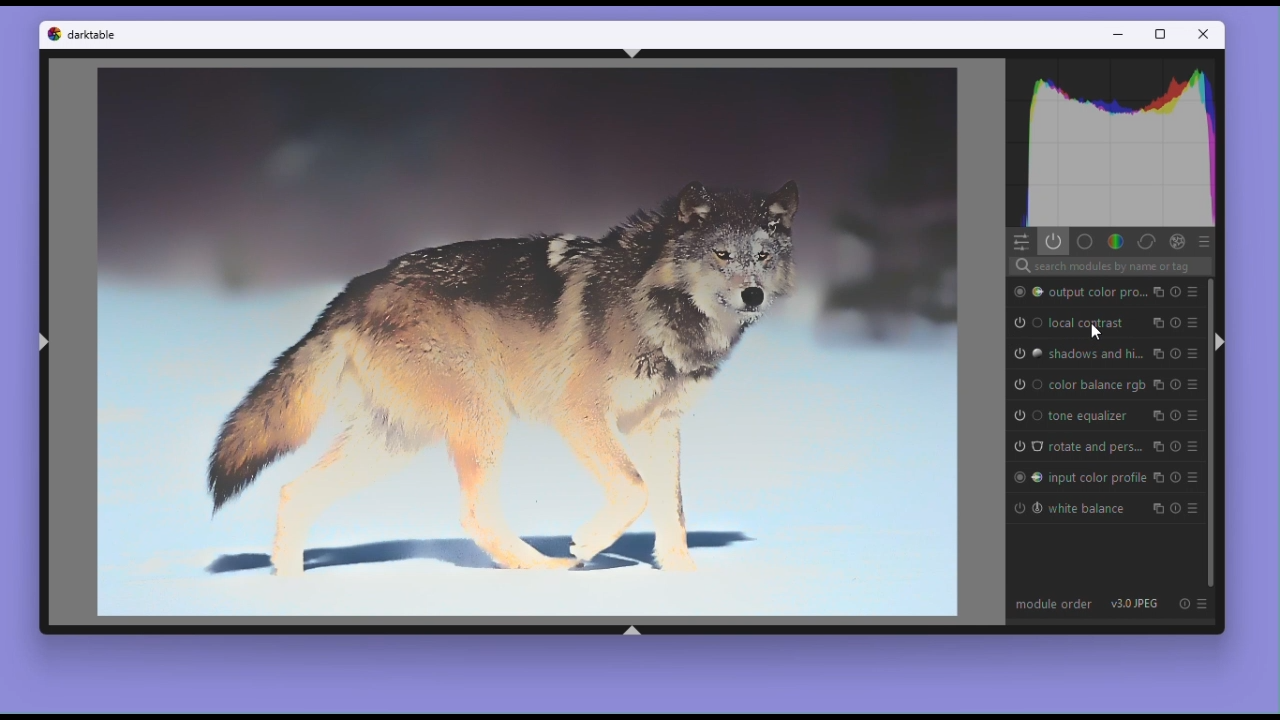 The width and height of the screenshot is (1280, 720). I want to click on presets and preferences, so click(1206, 603).